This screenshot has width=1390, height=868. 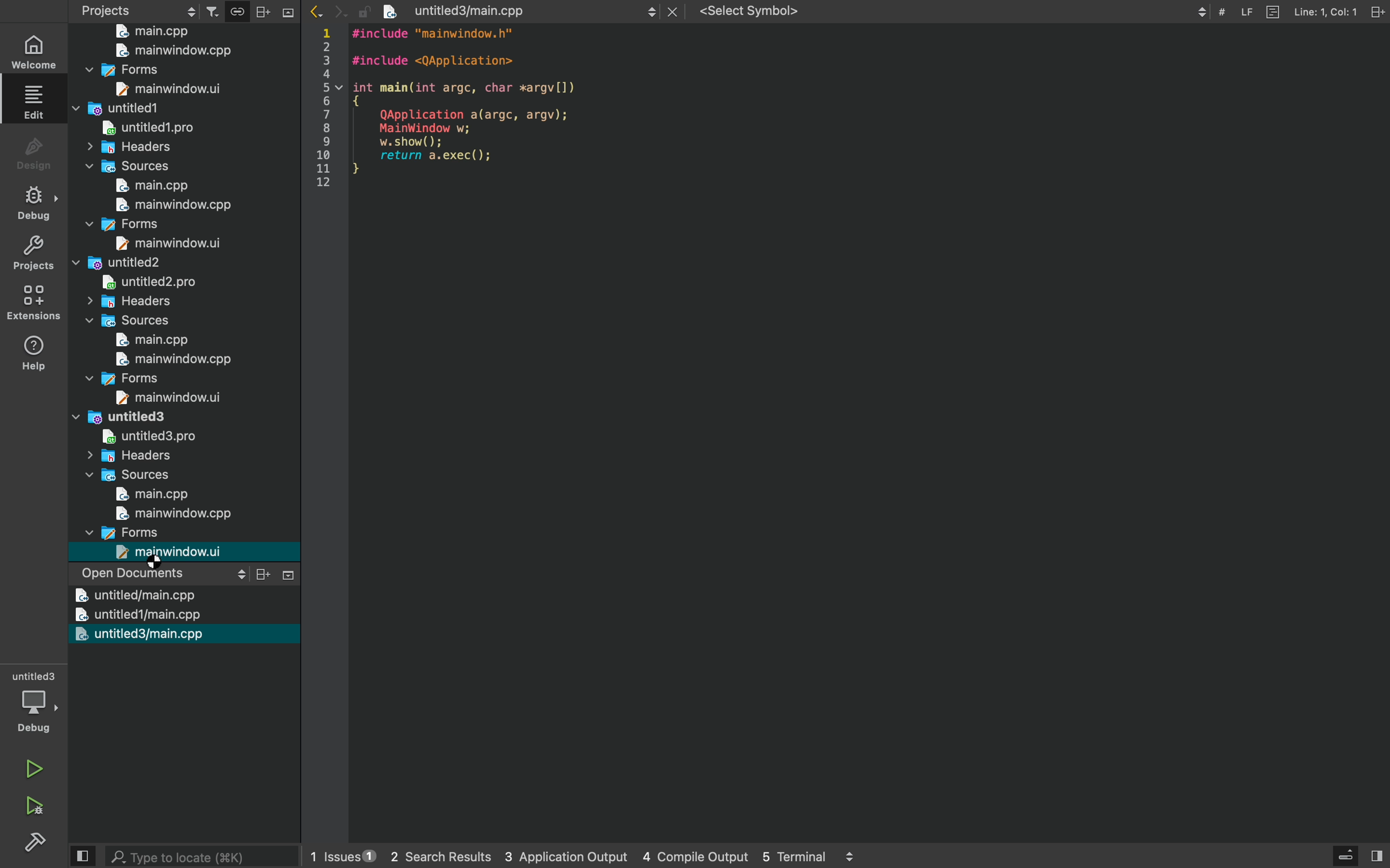 What do you see at coordinates (160, 532) in the screenshot?
I see `` at bounding box center [160, 532].